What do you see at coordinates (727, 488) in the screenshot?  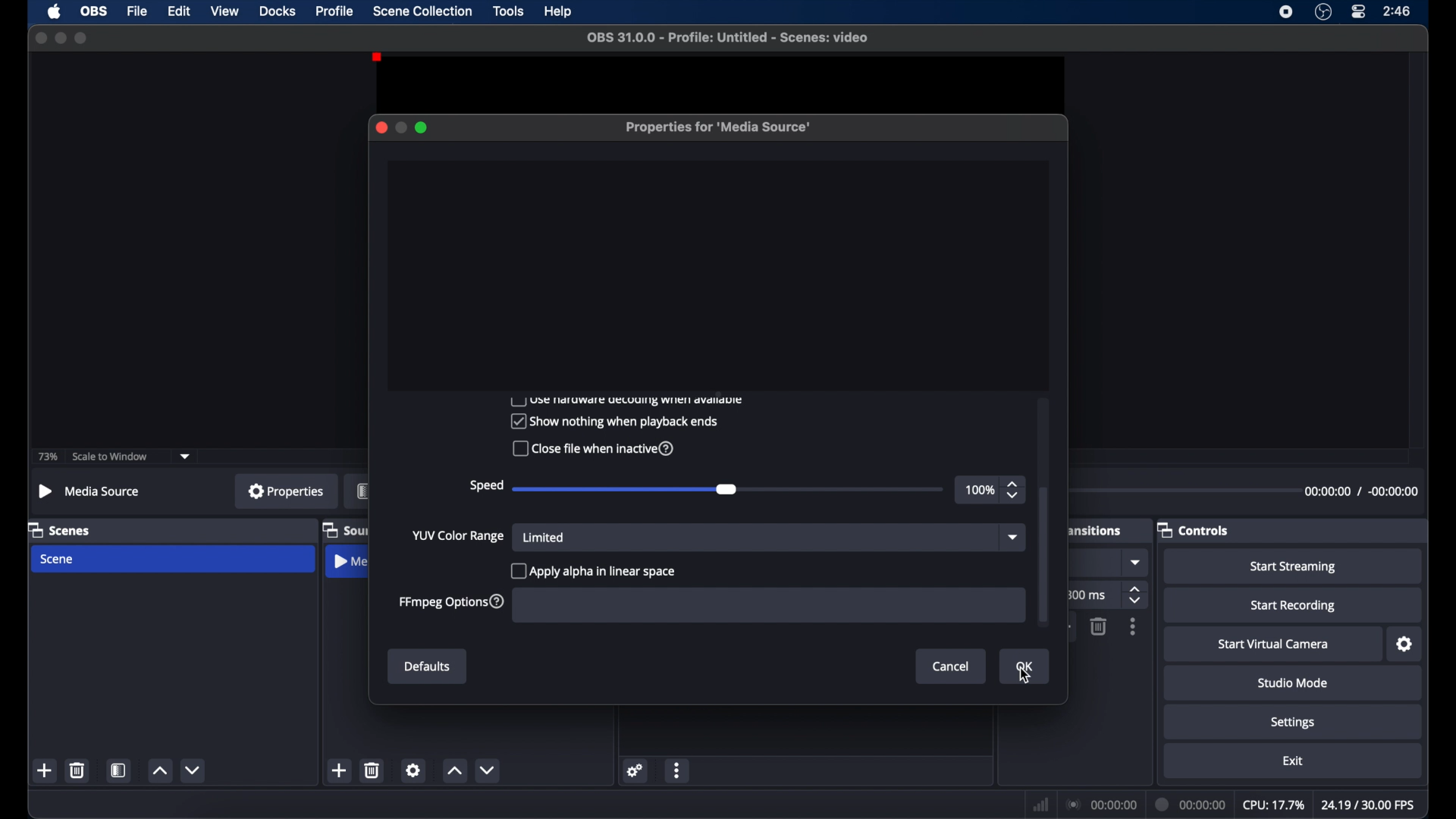 I see `slider` at bounding box center [727, 488].